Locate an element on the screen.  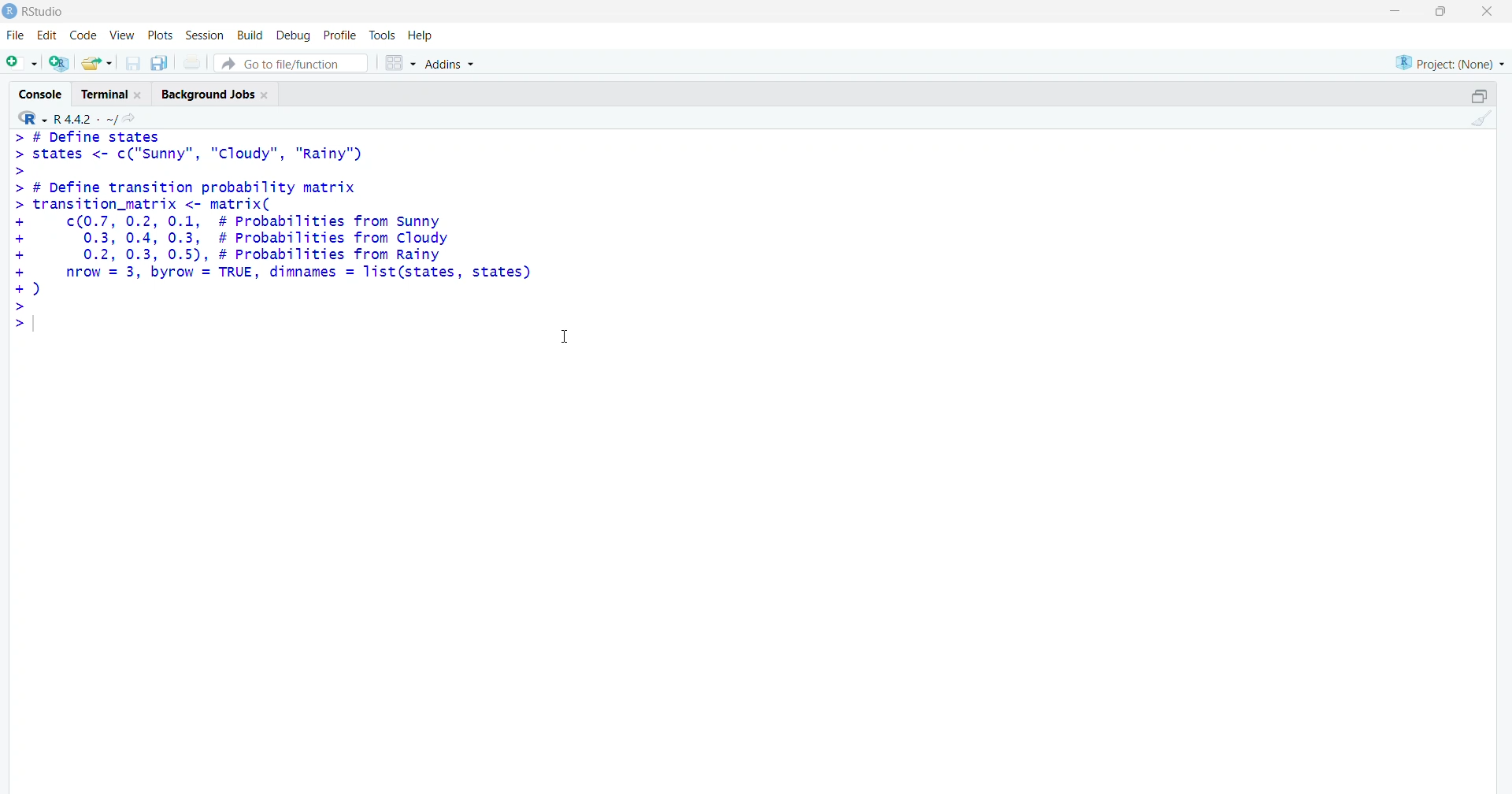
create a project is located at coordinates (57, 64).